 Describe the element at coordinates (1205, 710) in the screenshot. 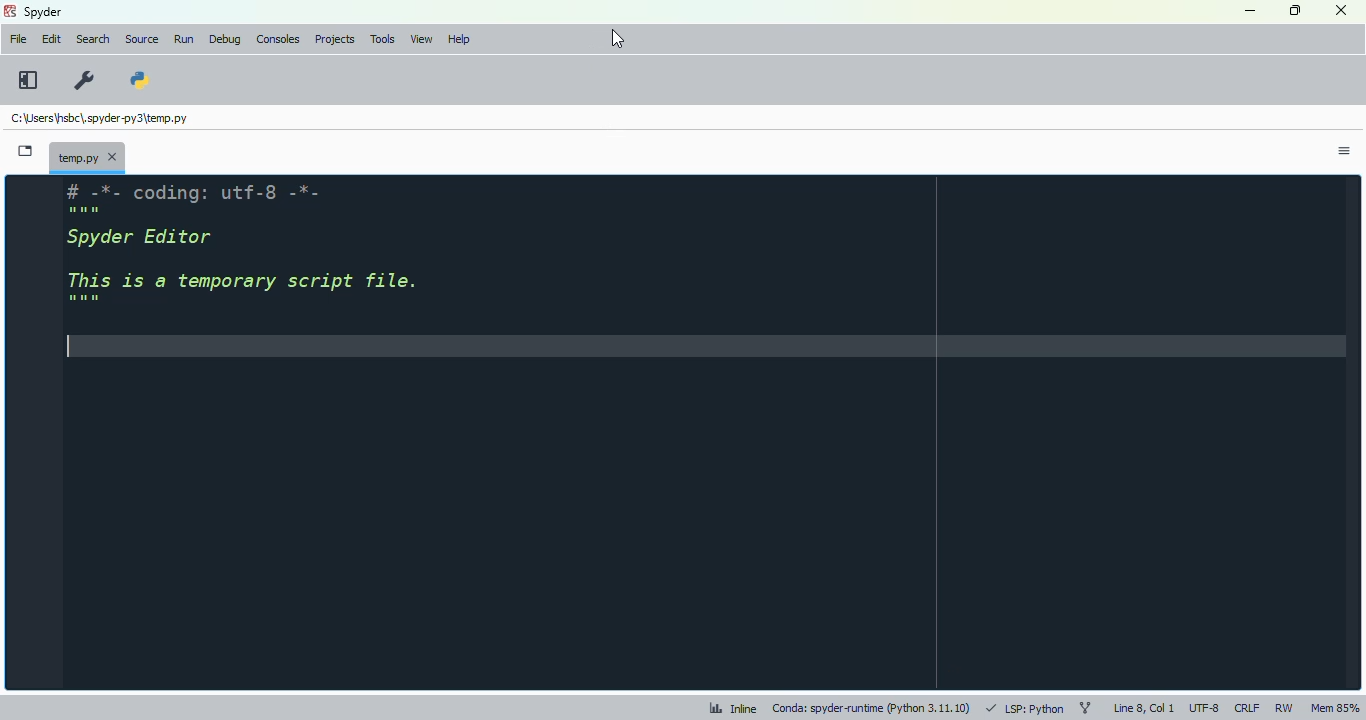

I see `UTF-8` at that location.